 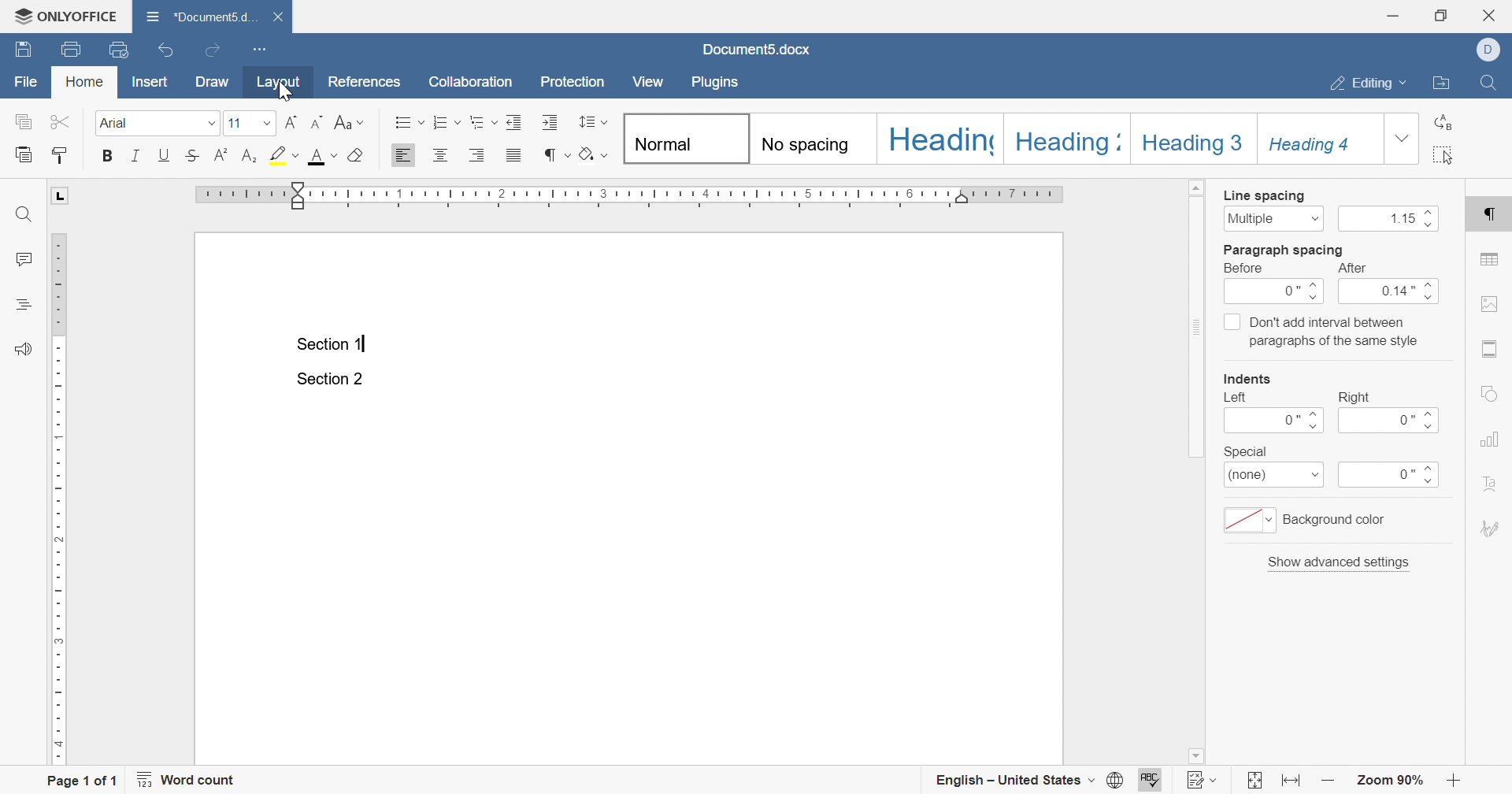 What do you see at coordinates (1254, 781) in the screenshot?
I see `fit to slide` at bounding box center [1254, 781].